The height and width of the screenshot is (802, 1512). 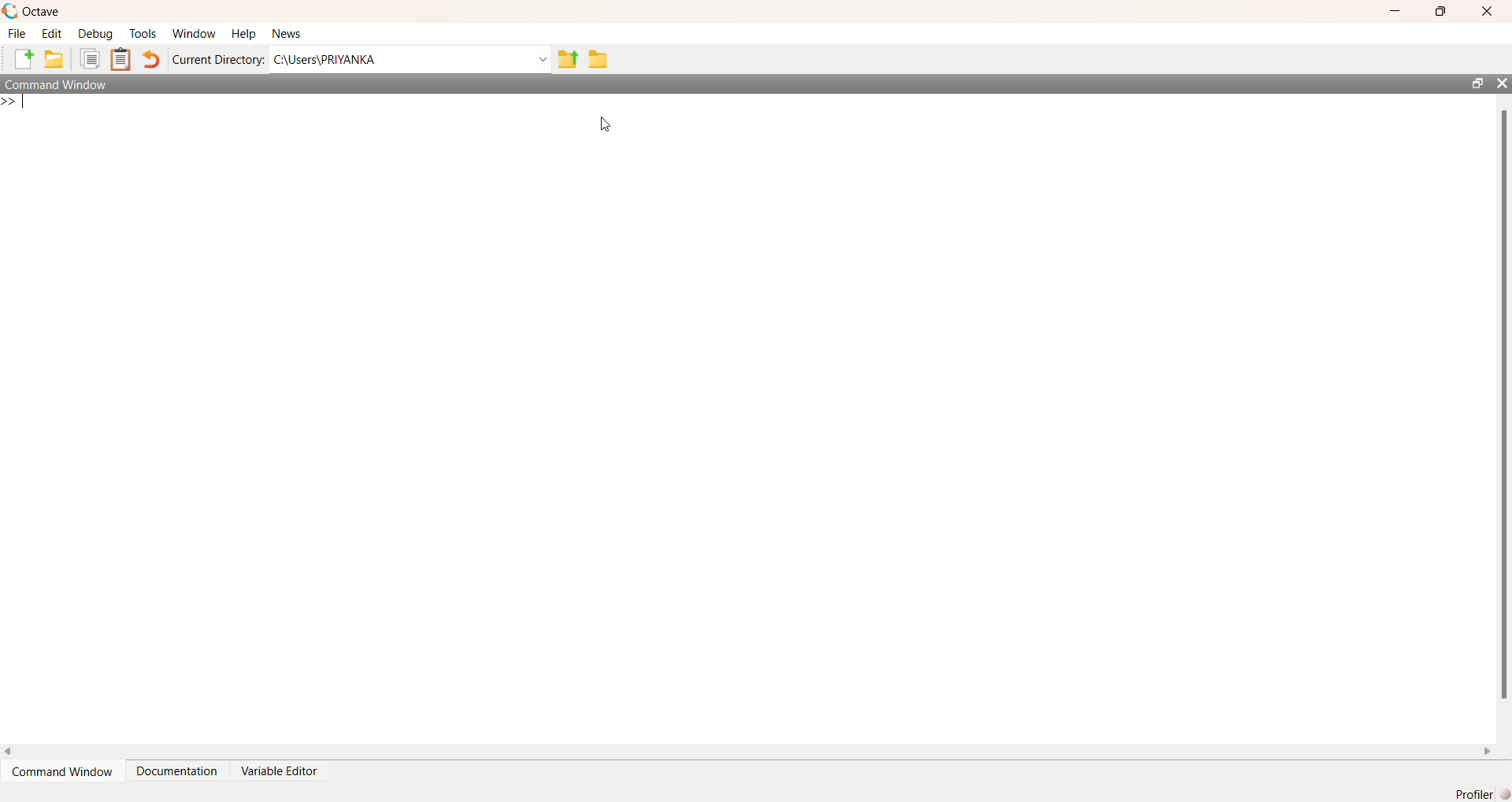 I want to click on Tools, so click(x=143, y=34).